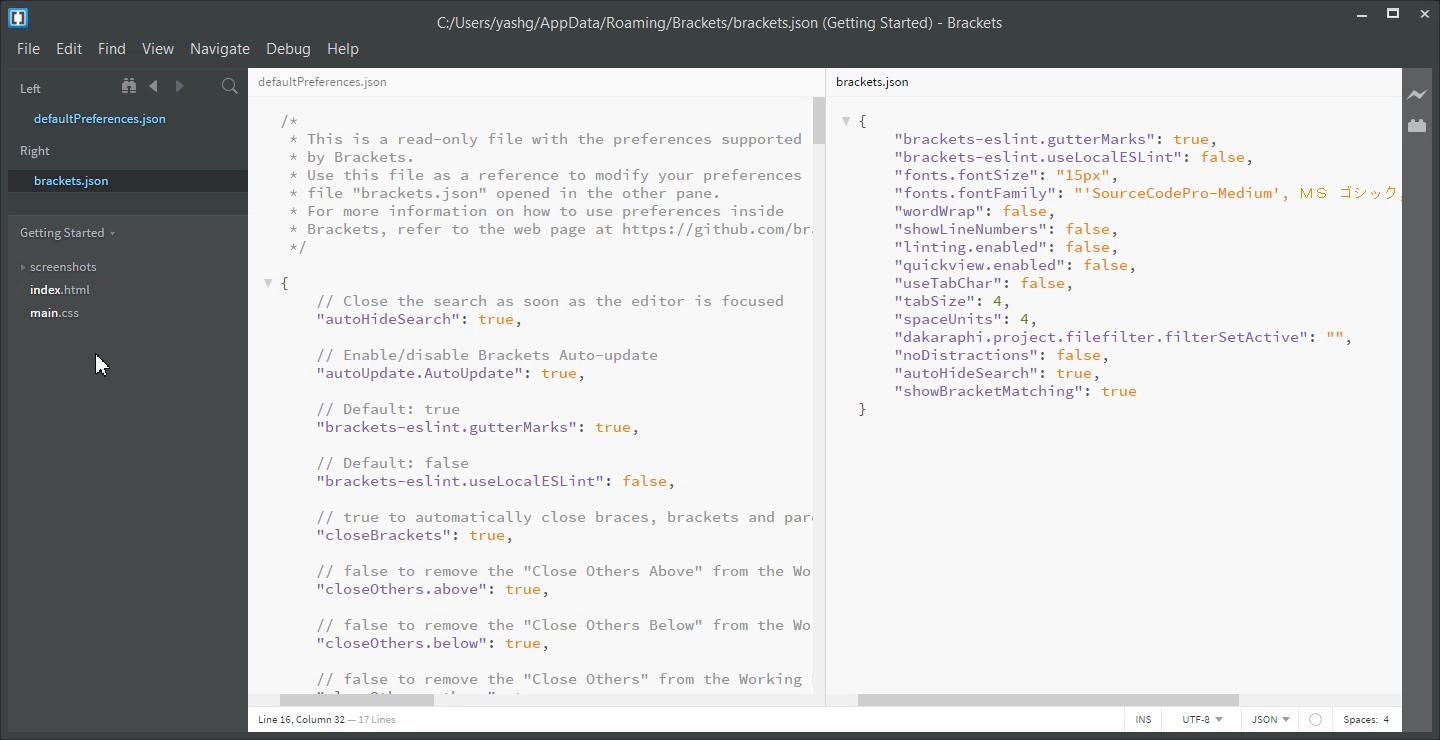  Describe the element at coordinates (66, 233) in the screenshot. I see `Getting Started` at that location.